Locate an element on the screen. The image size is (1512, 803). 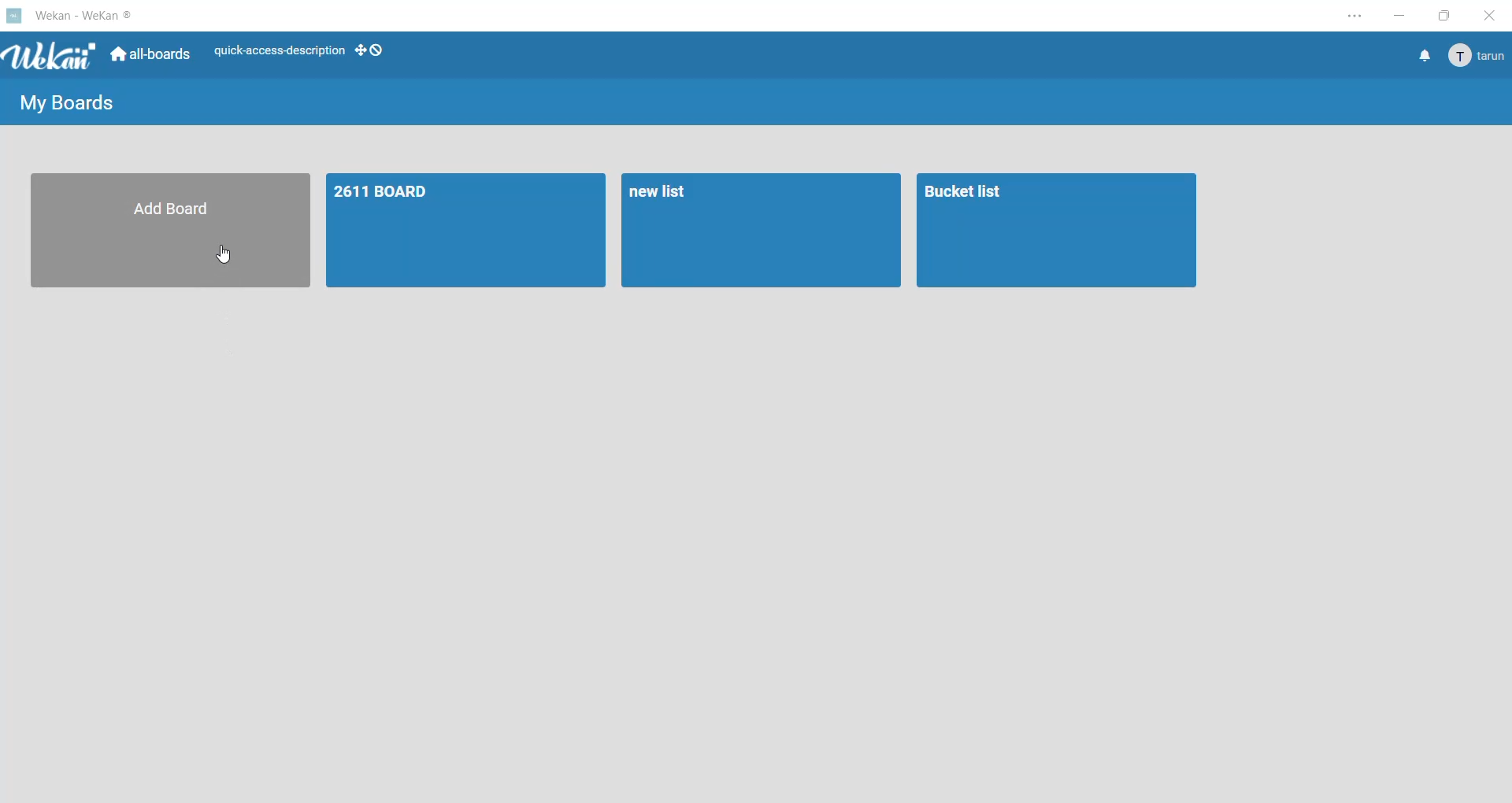
settings is located at coordinates (1354, 14).